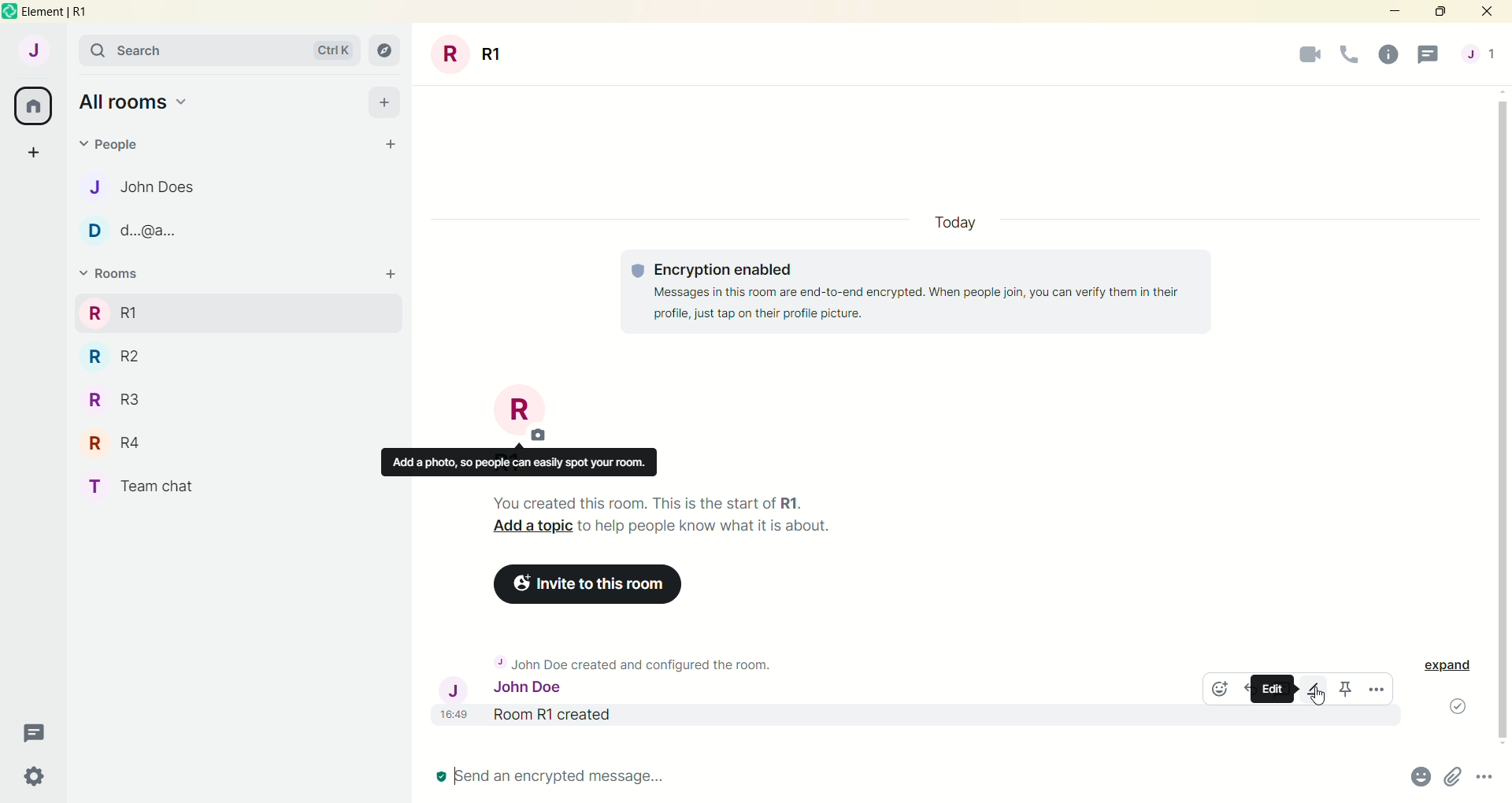 The height and width of the screenshot is (803, 1512). What do you see at coordinates (39, 730) in the screenshot?
I see `threads` at bounding box center [39, 730].